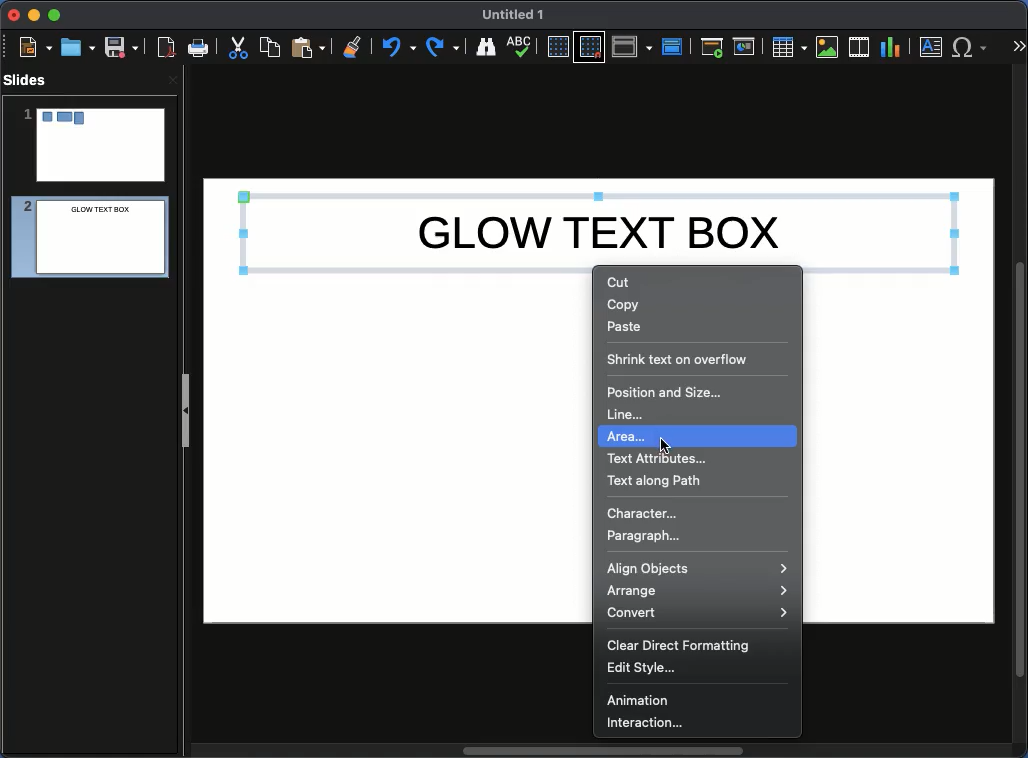  I want to click on Edit style, so click(646, 669).